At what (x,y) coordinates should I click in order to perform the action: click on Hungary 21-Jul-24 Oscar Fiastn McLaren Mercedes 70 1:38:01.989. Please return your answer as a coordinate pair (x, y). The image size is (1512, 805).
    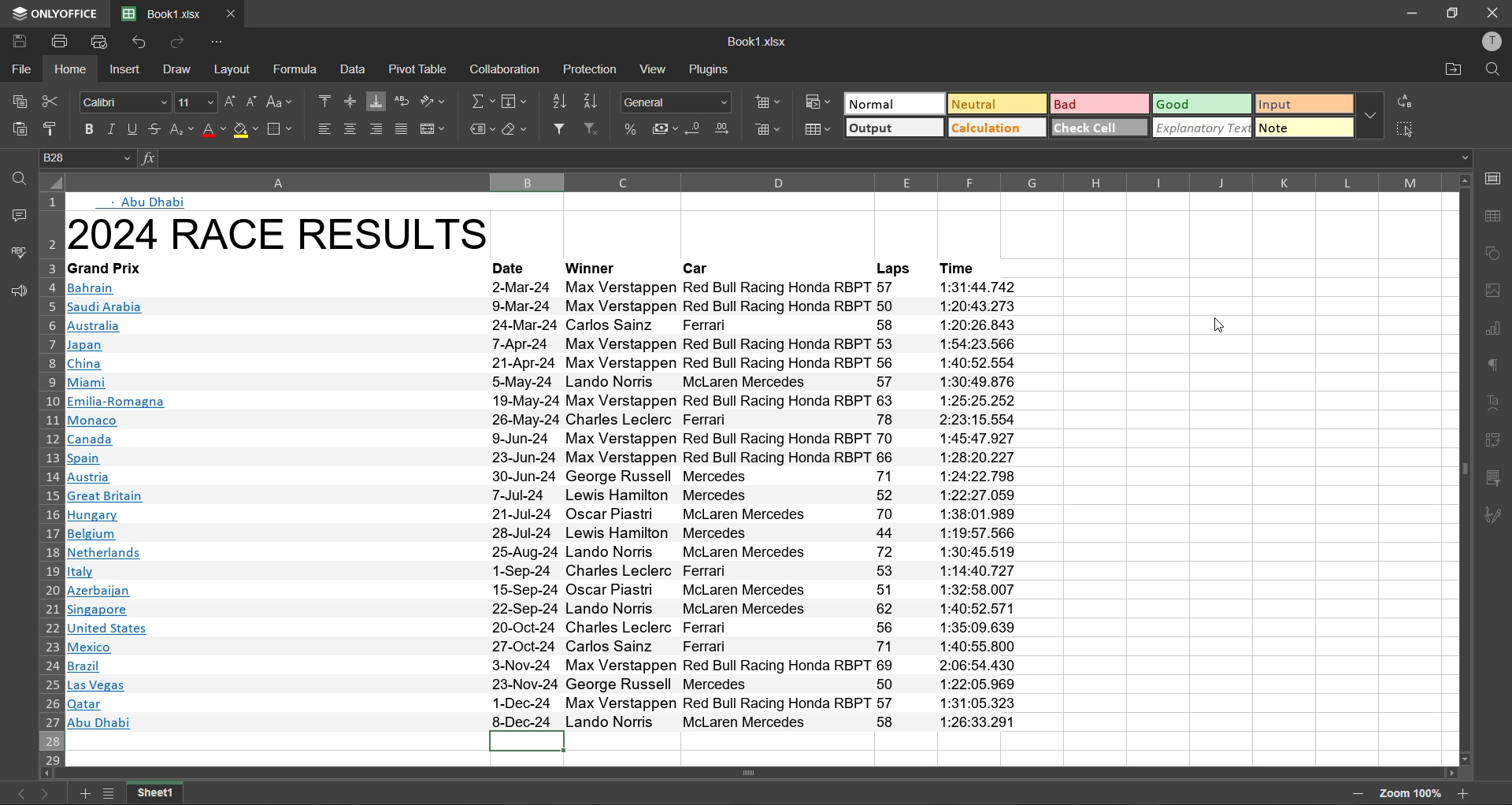
    Looking at the image, I should click on (545, 514).